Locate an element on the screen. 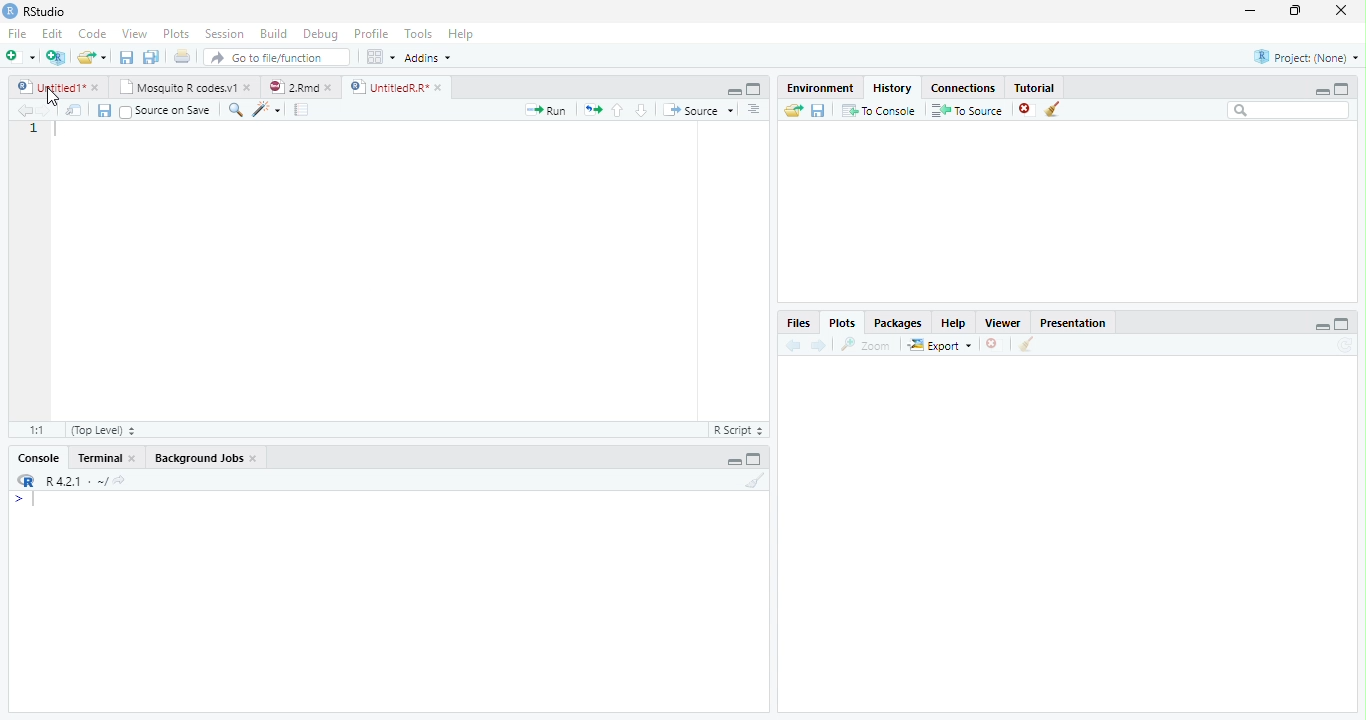 The width and height of the screenshot is (1366, 720). maximize is located at coordinates (754, 88).